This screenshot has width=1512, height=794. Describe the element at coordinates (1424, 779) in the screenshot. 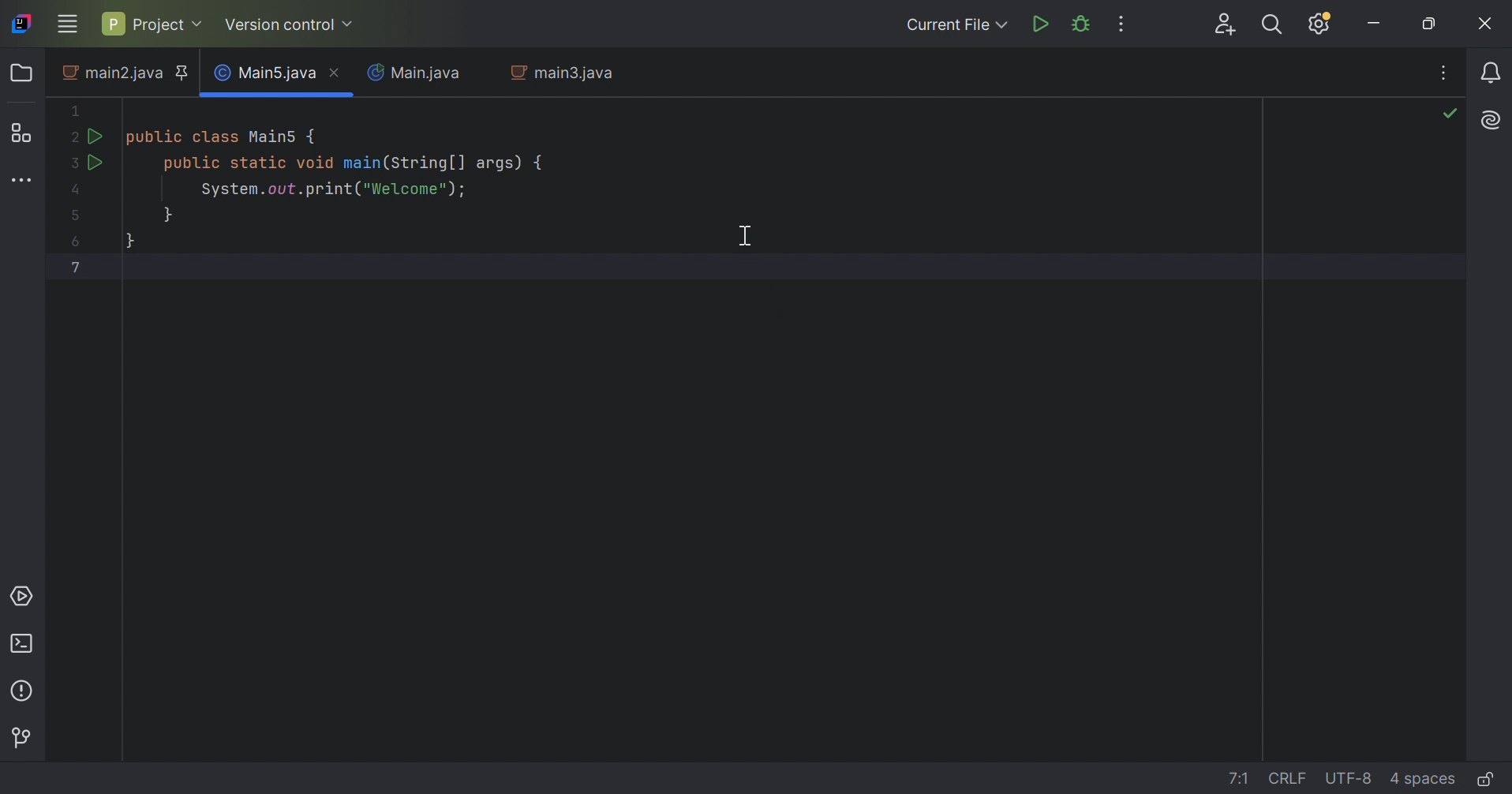

I see `indent: 4 spaces` at that location.